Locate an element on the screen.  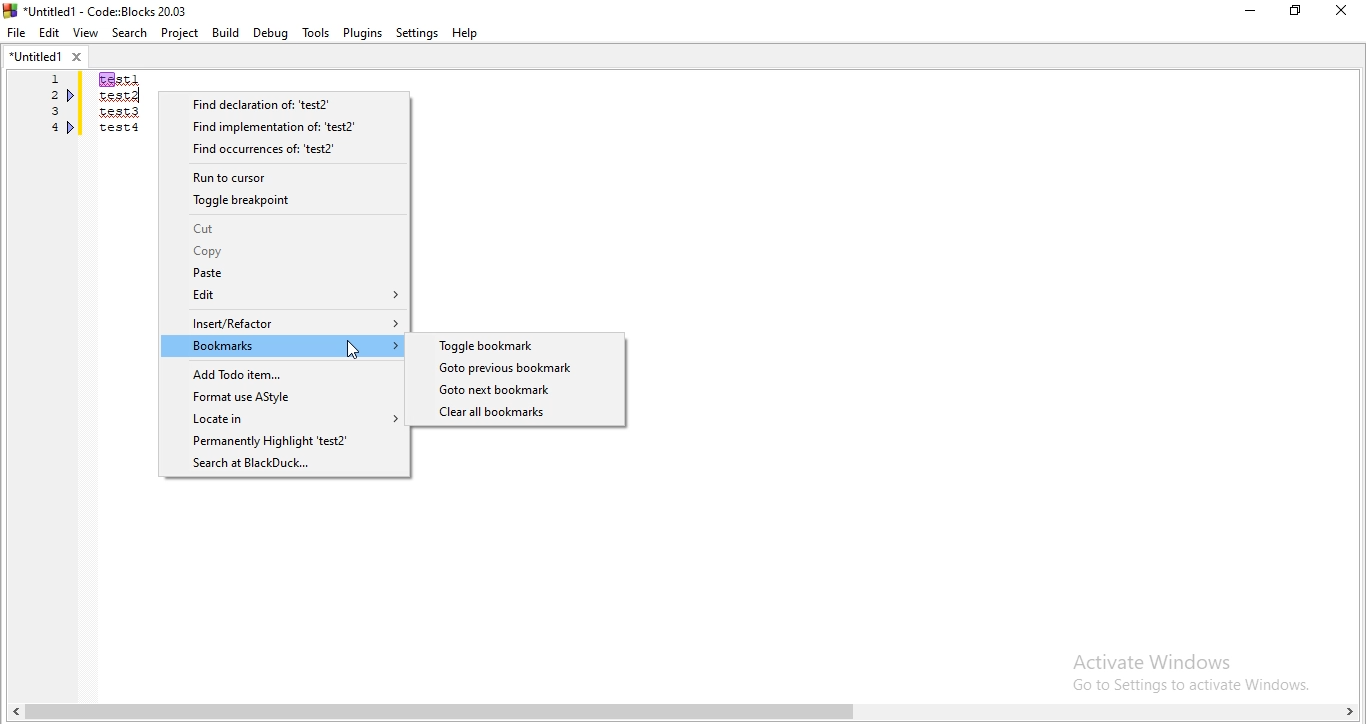
Format use AStyle is located at coordinates (284, 396).